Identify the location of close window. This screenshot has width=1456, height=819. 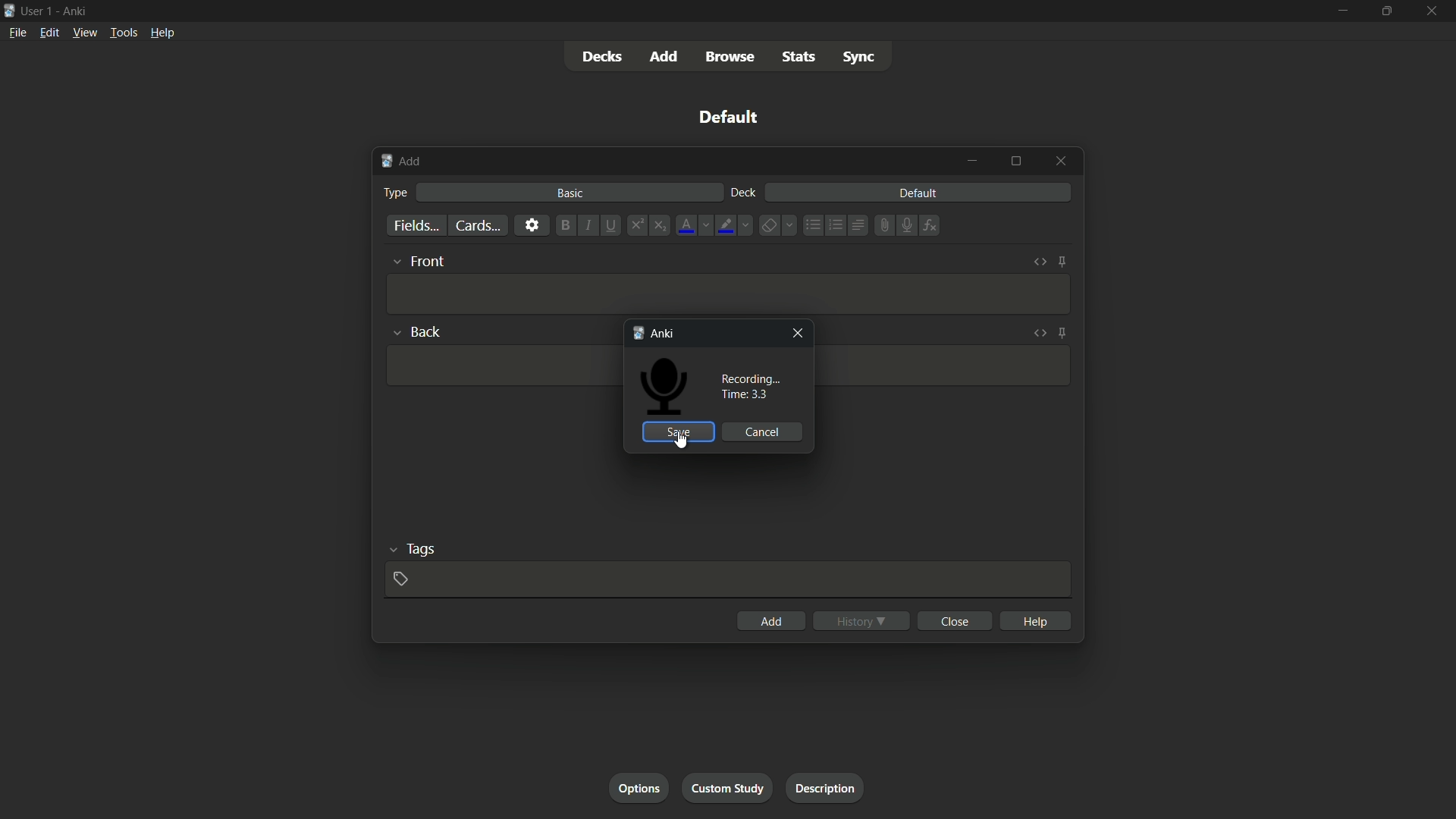
(1059, 162).